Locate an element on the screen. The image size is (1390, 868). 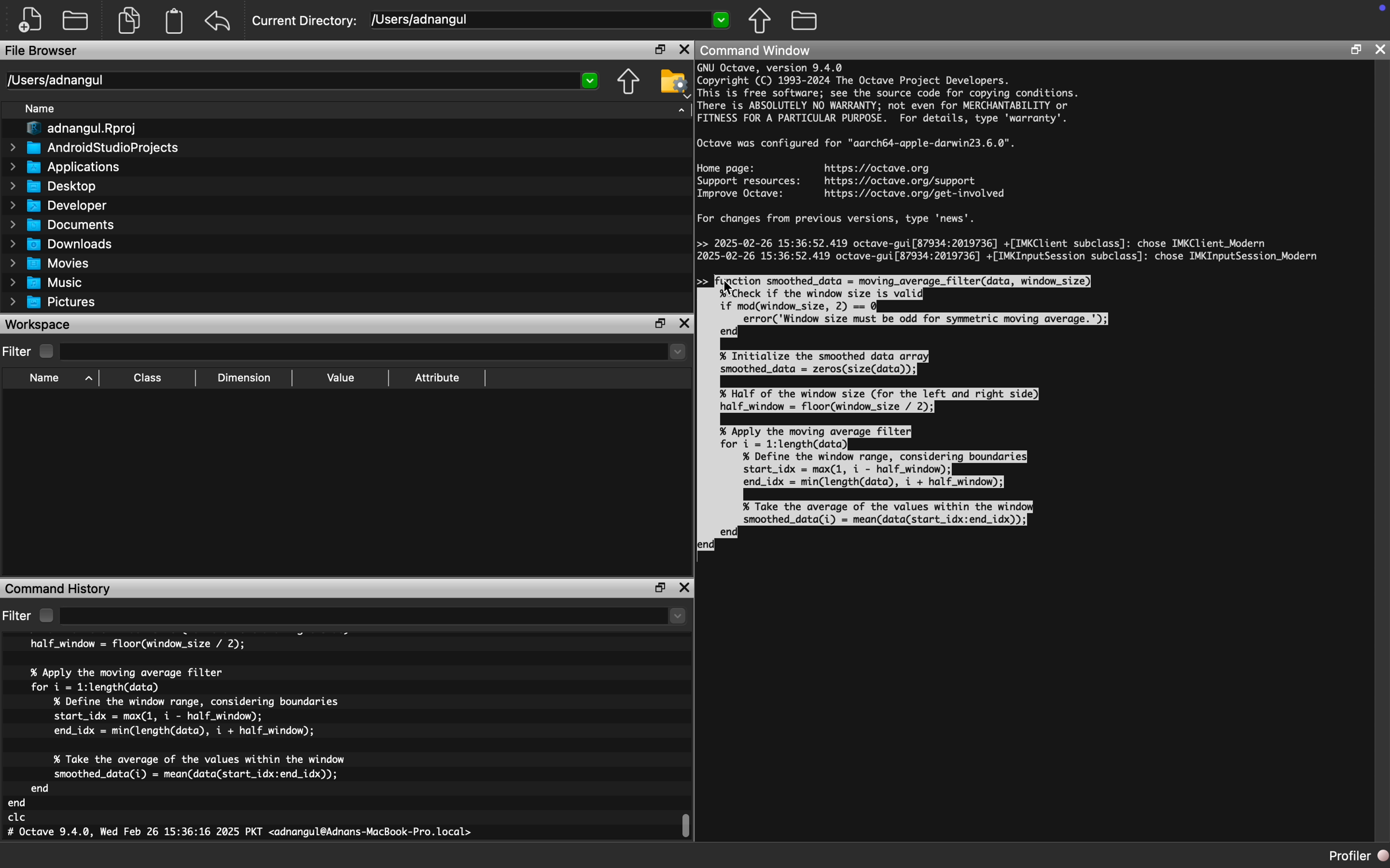
Workspace is located at coordinates (38, 325).